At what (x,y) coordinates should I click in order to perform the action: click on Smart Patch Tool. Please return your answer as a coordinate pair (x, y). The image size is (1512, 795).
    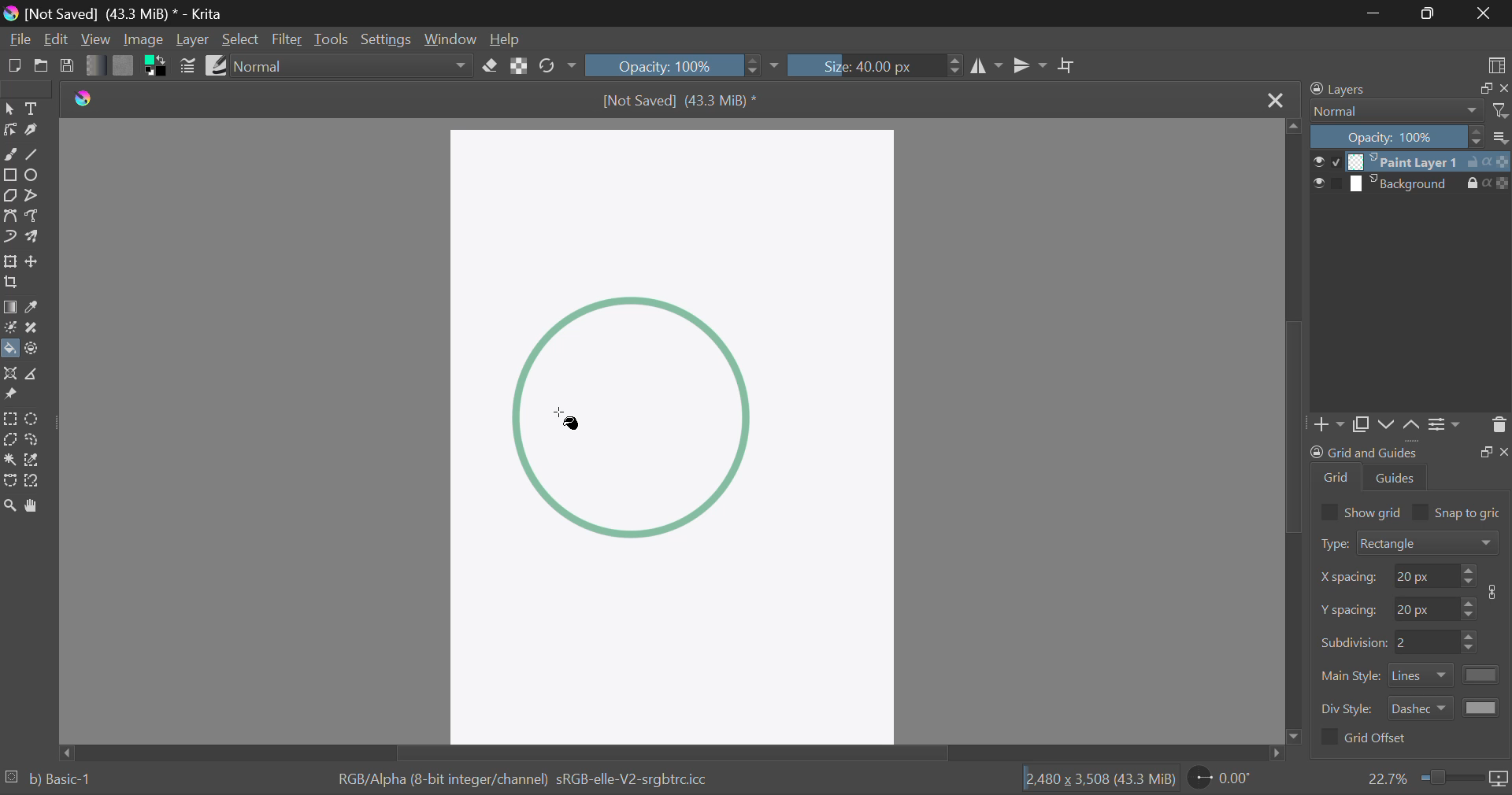
    Looking at the image, I should click on (32, 328).